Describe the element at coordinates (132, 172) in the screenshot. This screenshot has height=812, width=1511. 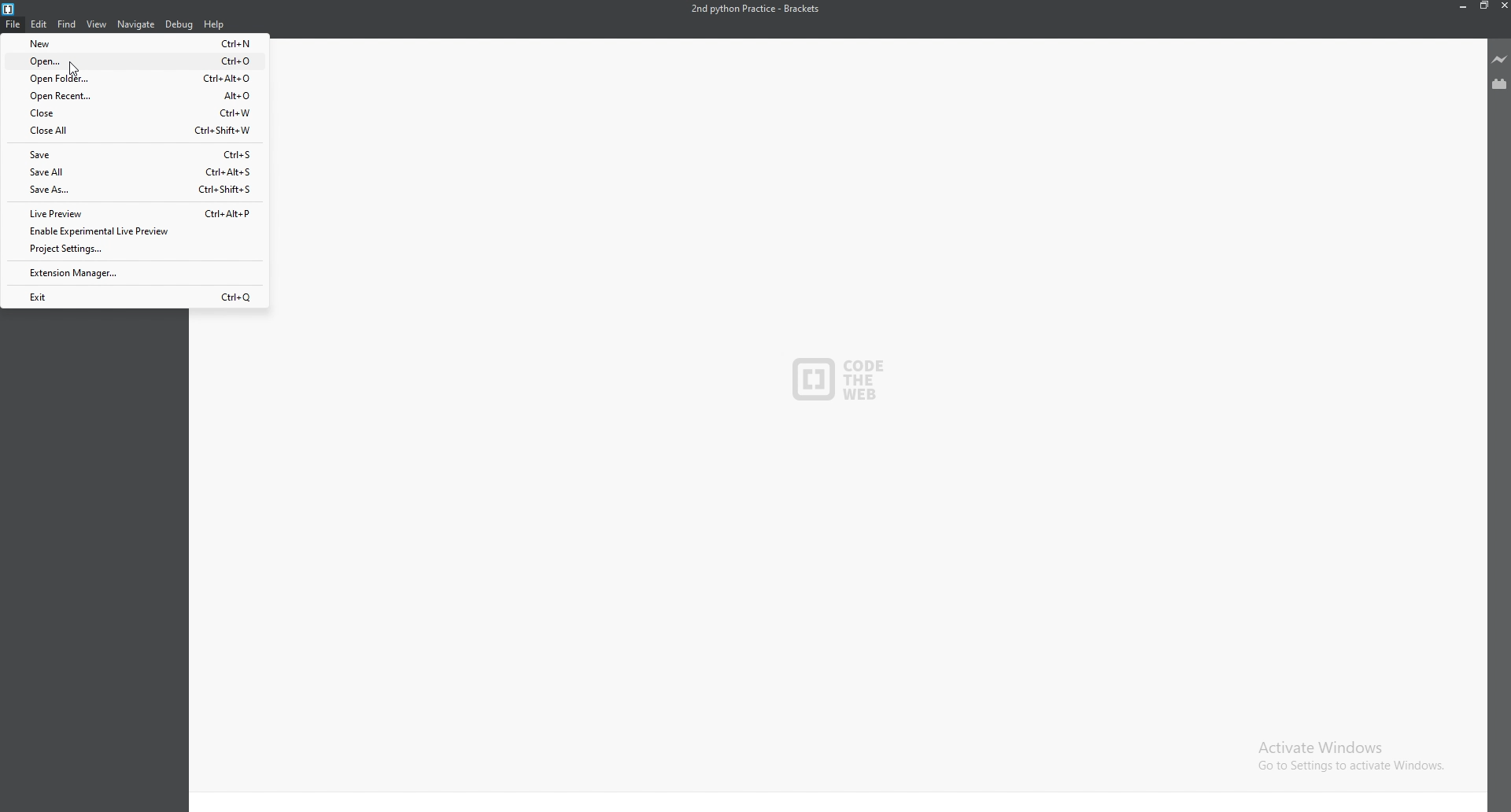
I see `save all` at that location.